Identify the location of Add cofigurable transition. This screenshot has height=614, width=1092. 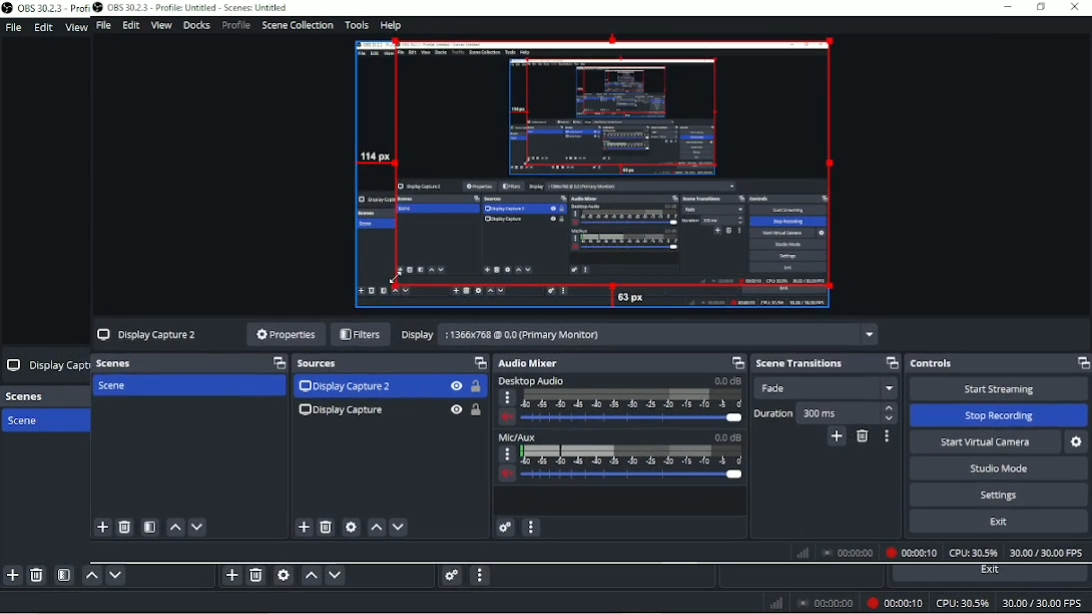
(832, 438).